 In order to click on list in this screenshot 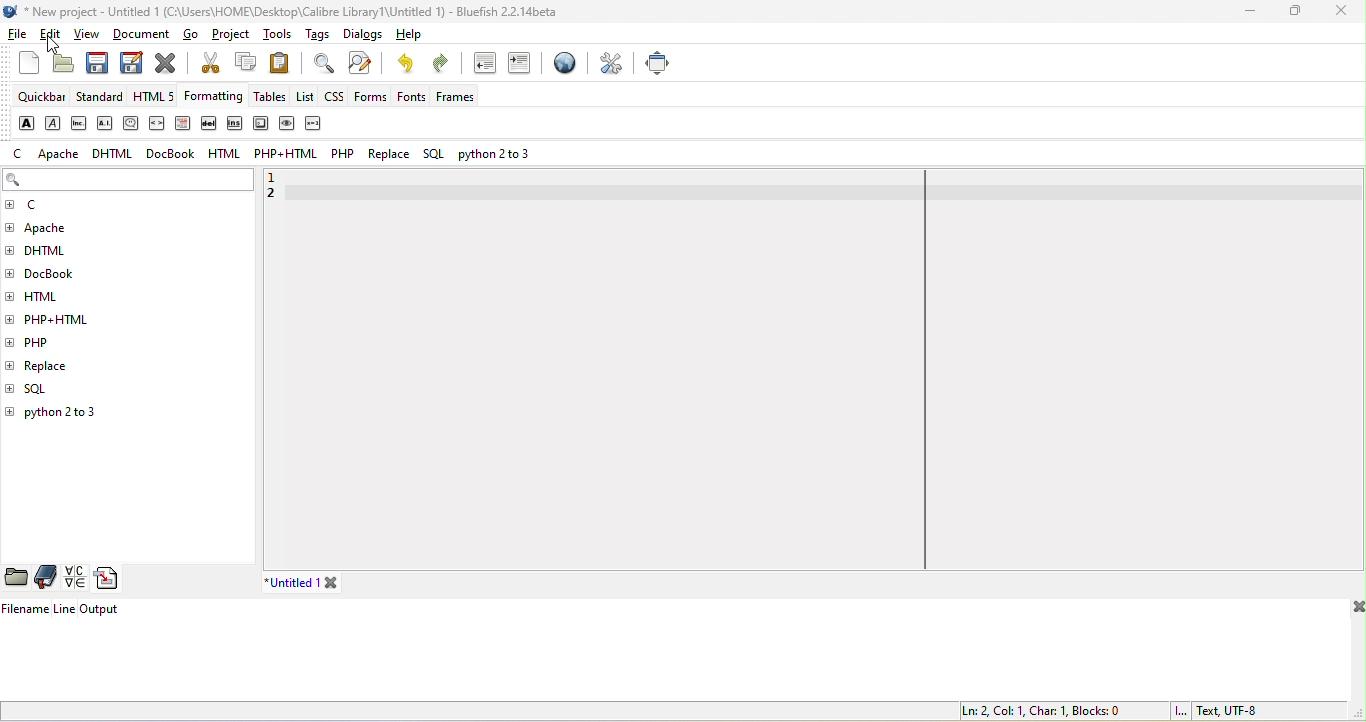, I will do `click(305, 96)`.